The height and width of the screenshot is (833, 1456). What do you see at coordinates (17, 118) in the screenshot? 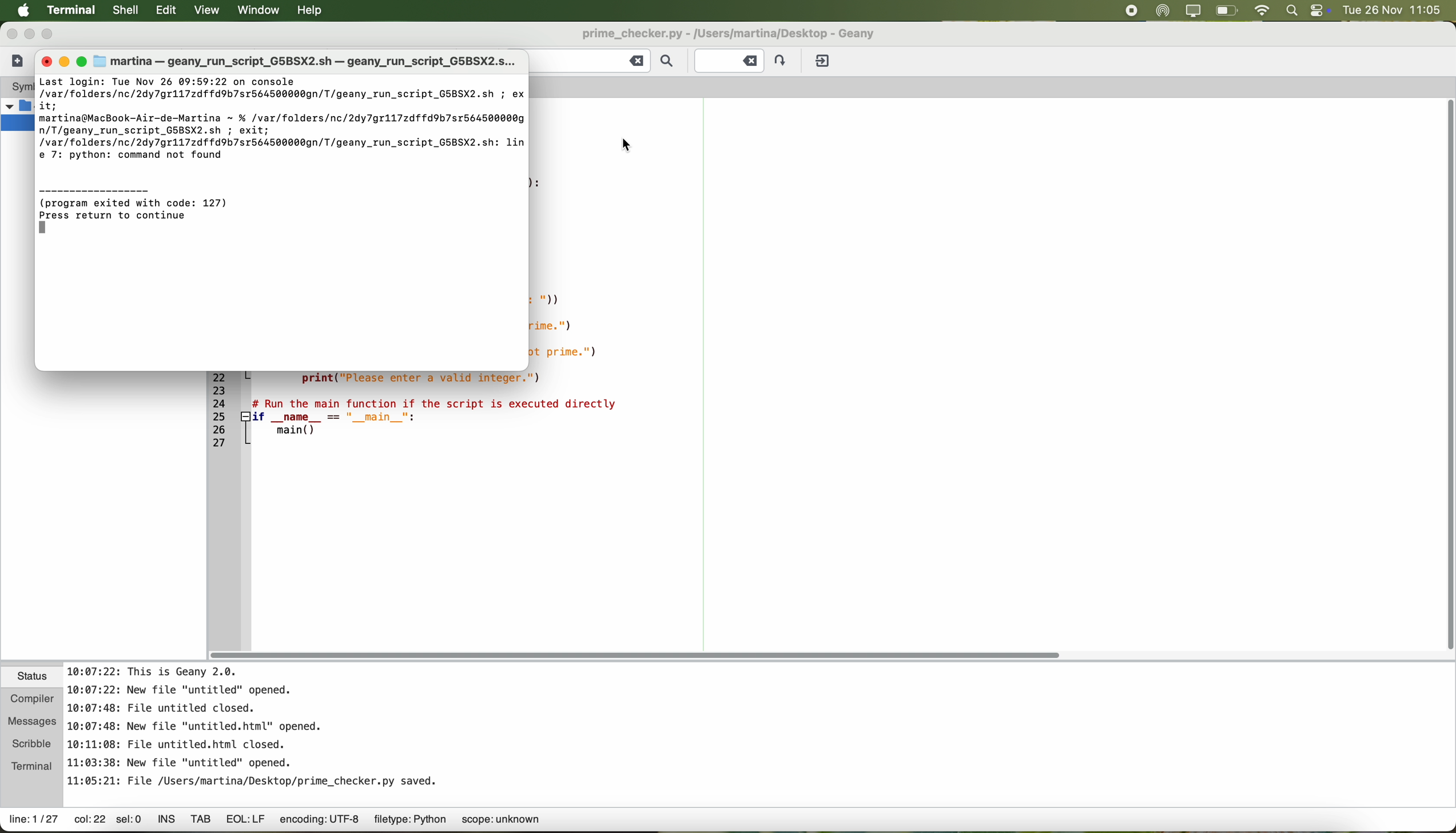
I see `folders` at bounding box center [17, 118].